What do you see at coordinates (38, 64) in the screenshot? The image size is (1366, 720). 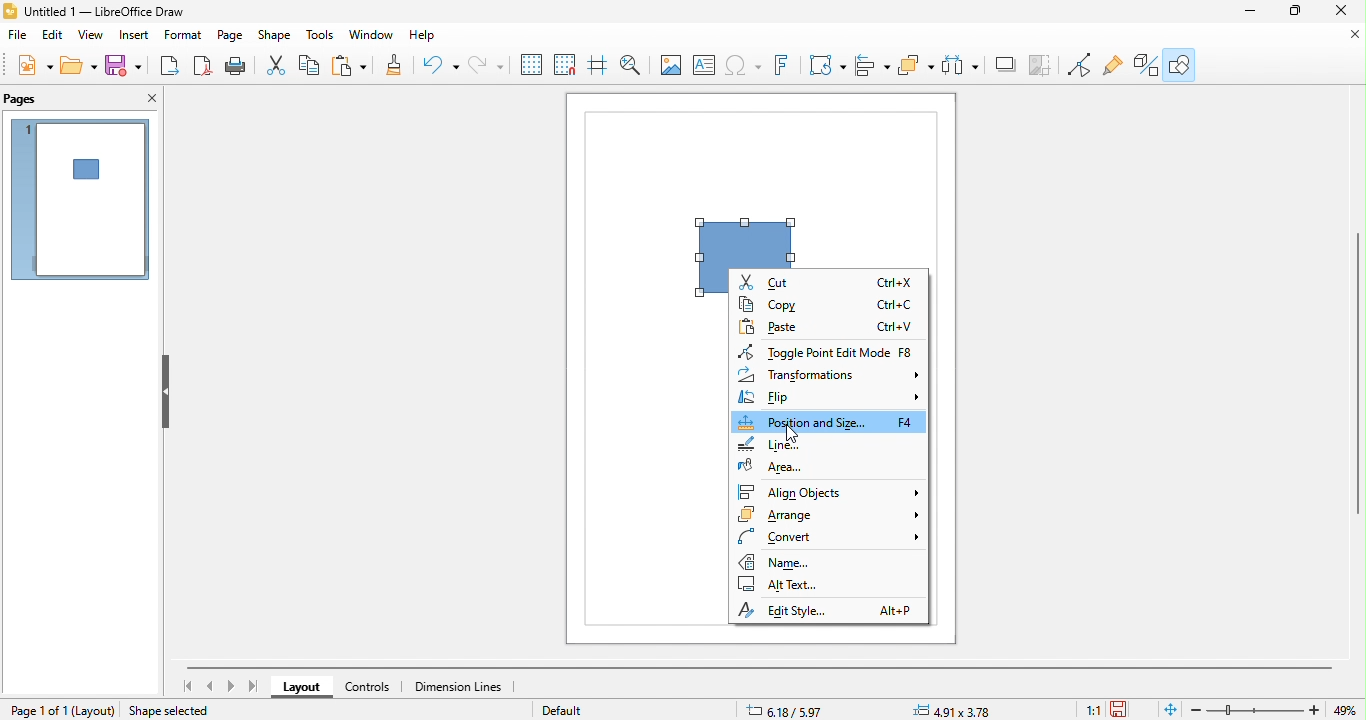 I see `new` at bounding box center [38, 64].